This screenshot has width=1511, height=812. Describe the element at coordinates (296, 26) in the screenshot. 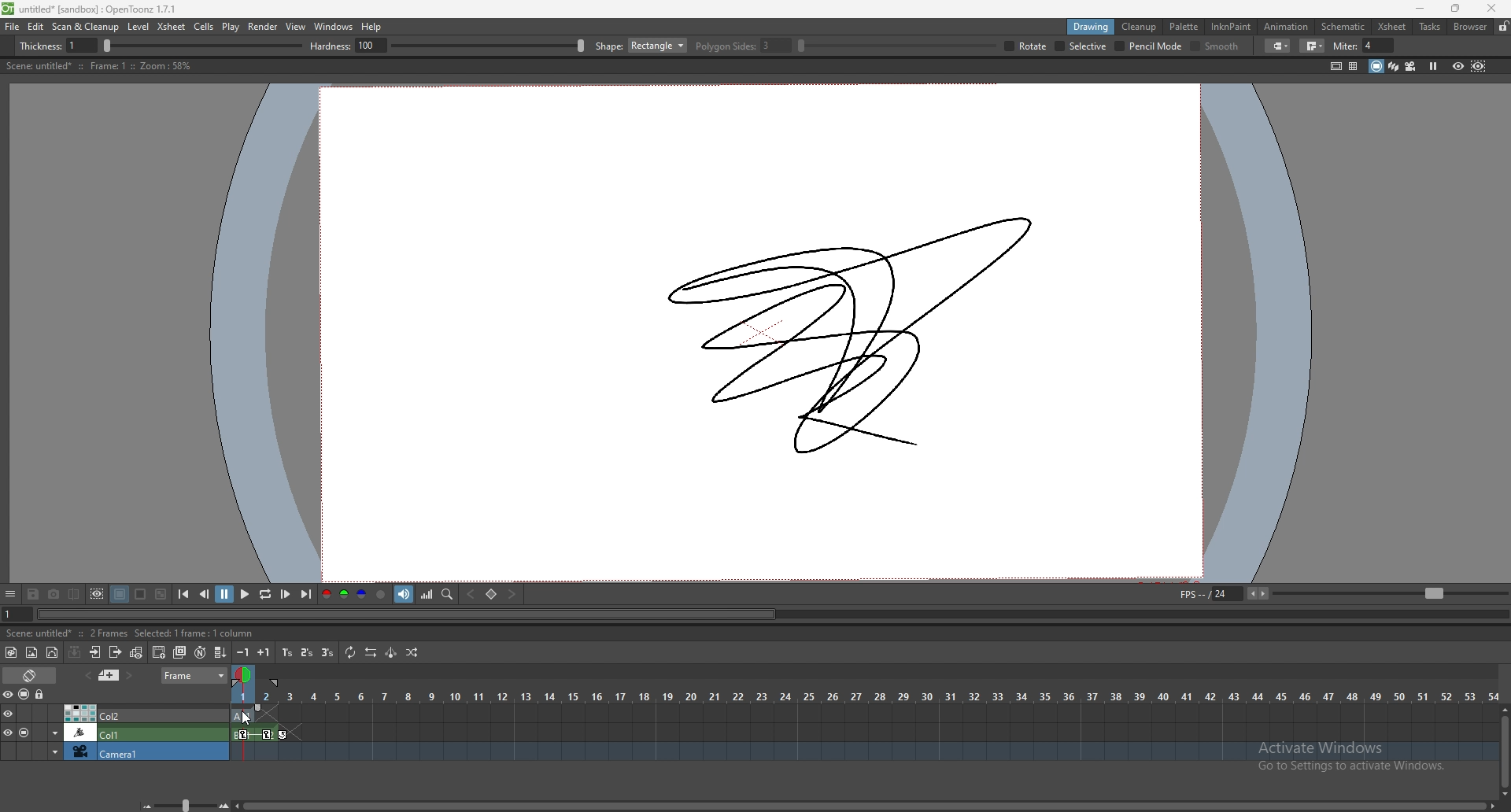

I see `view` at that location.